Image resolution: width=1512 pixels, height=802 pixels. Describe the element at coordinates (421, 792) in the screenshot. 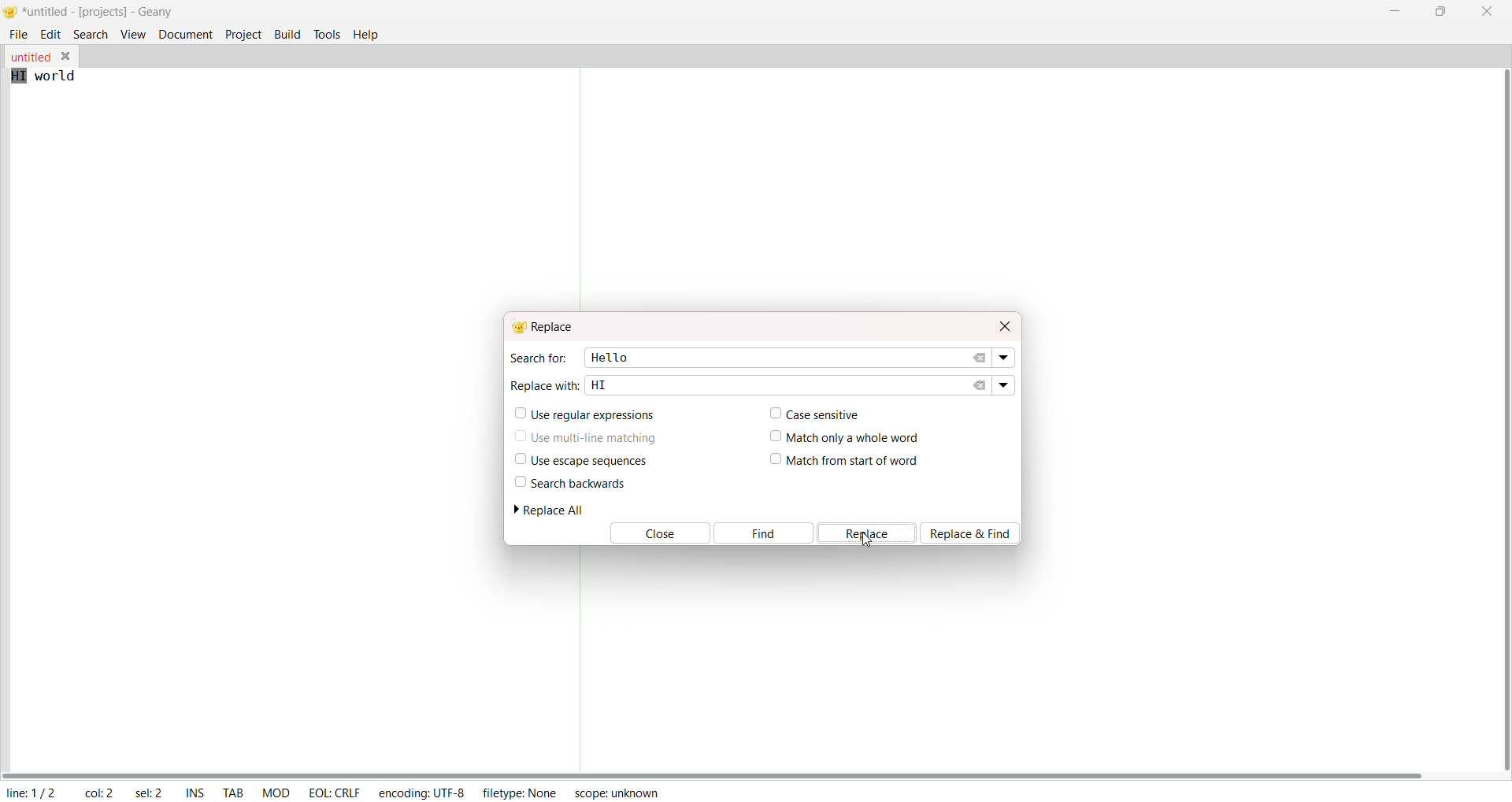

I see `encoding: UTF-8` at that location.